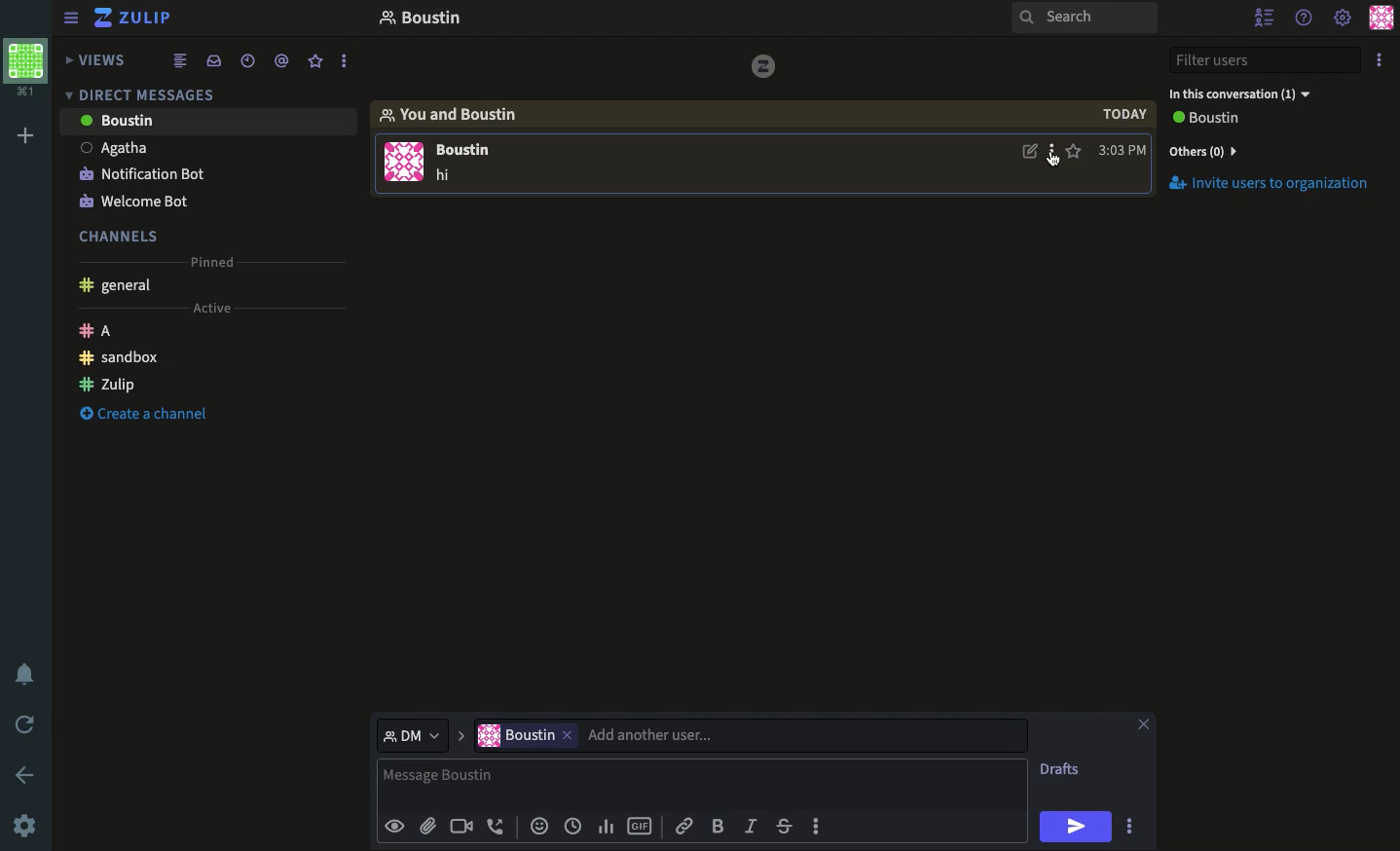 The height and width of the screenshot is (851, 1400). I want to click on Options, so click(1129, 825).